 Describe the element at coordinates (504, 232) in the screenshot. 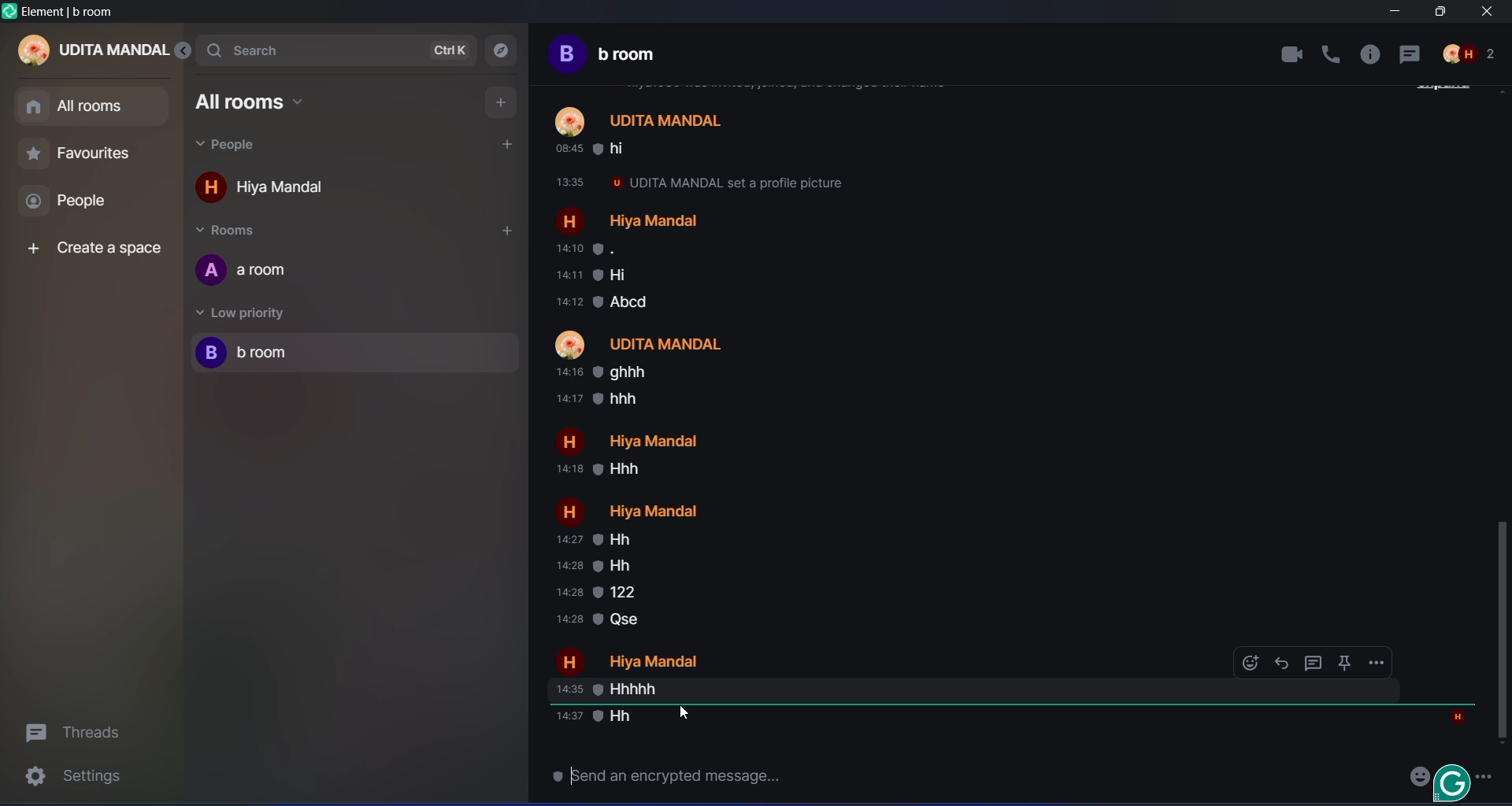

I see `add room` at that location.